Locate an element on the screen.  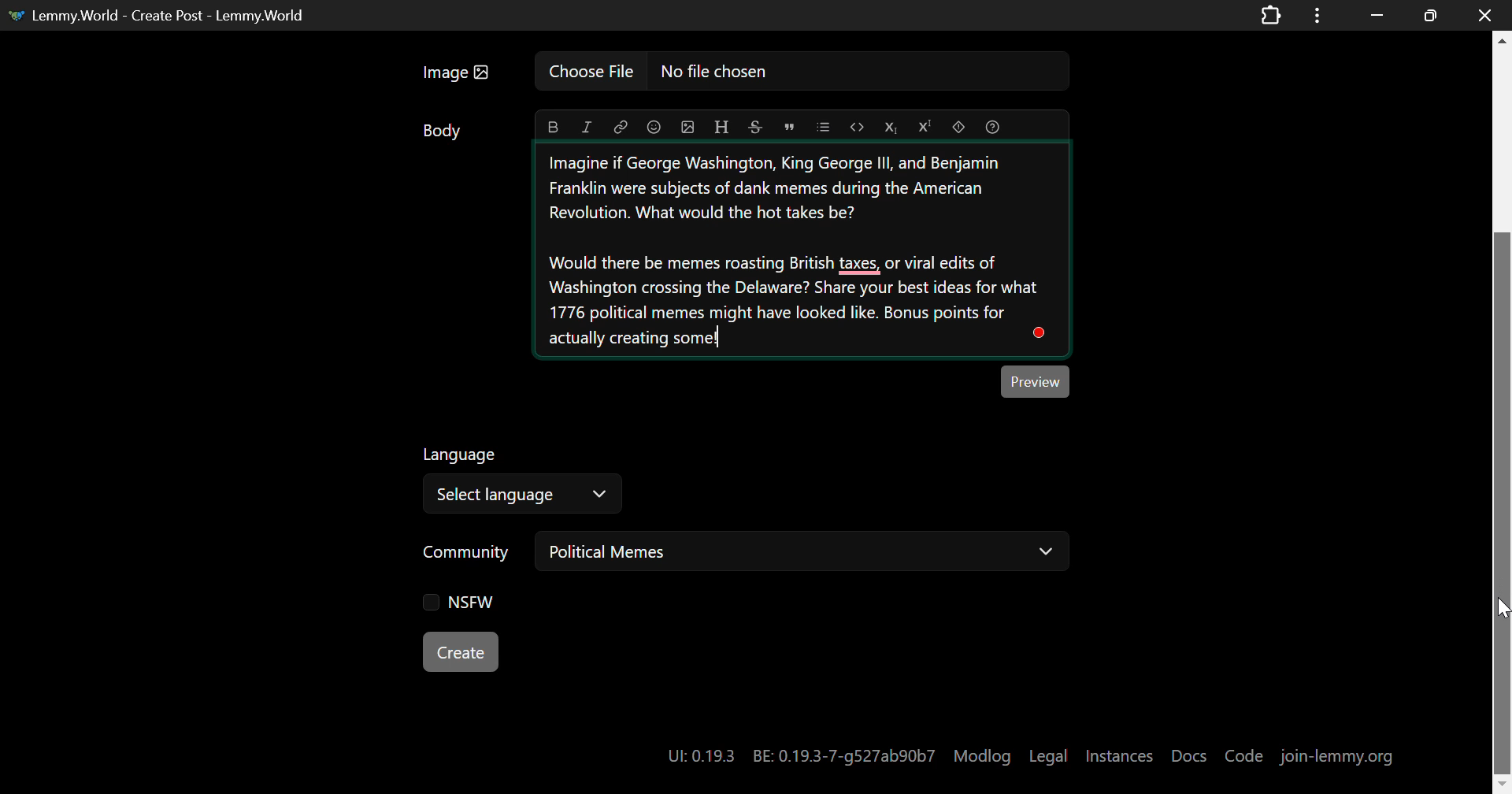
Instances is located at coordinates (1121, 756).